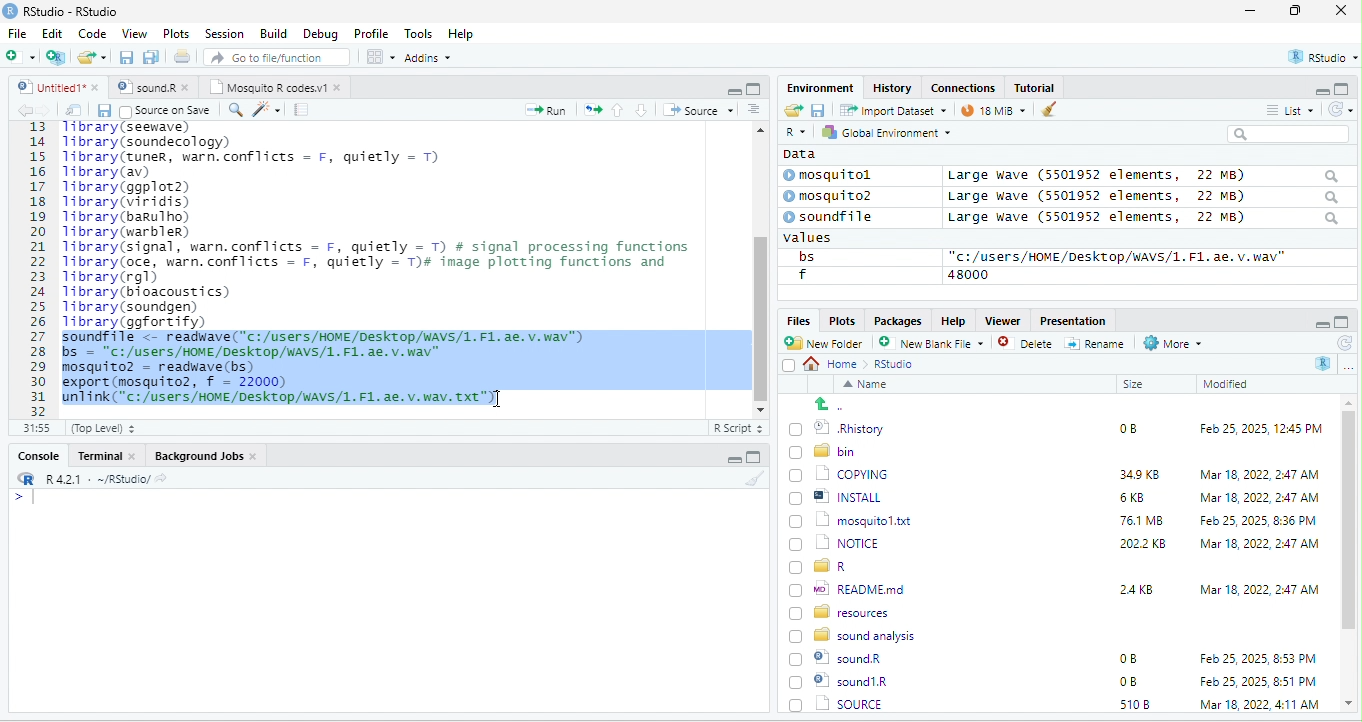  Describe the element at coordinates (320, 33) in the screenshot. I see `Debug` at that location.